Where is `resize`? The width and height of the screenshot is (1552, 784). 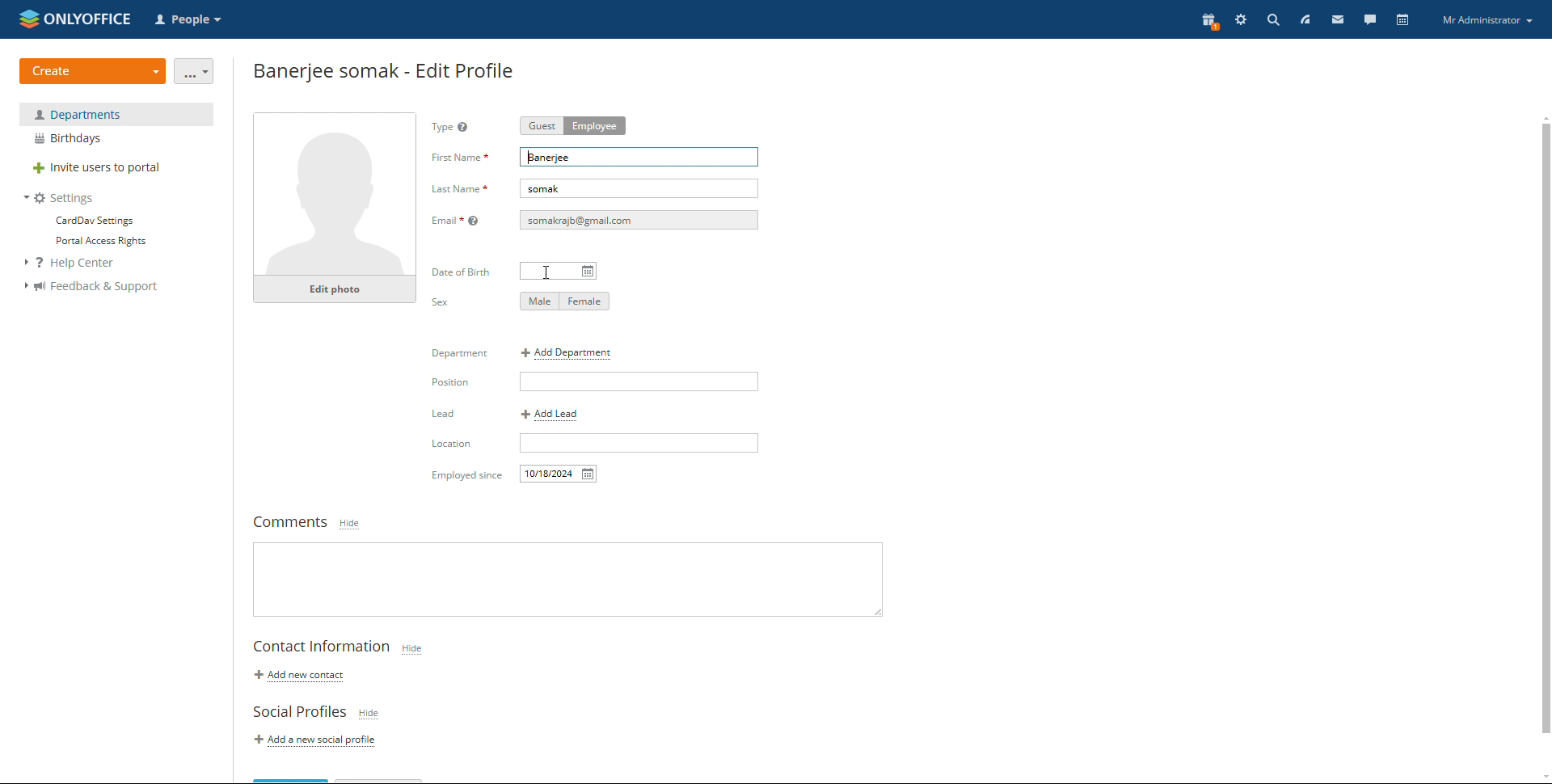 resize is located at coordinates (876, 611).